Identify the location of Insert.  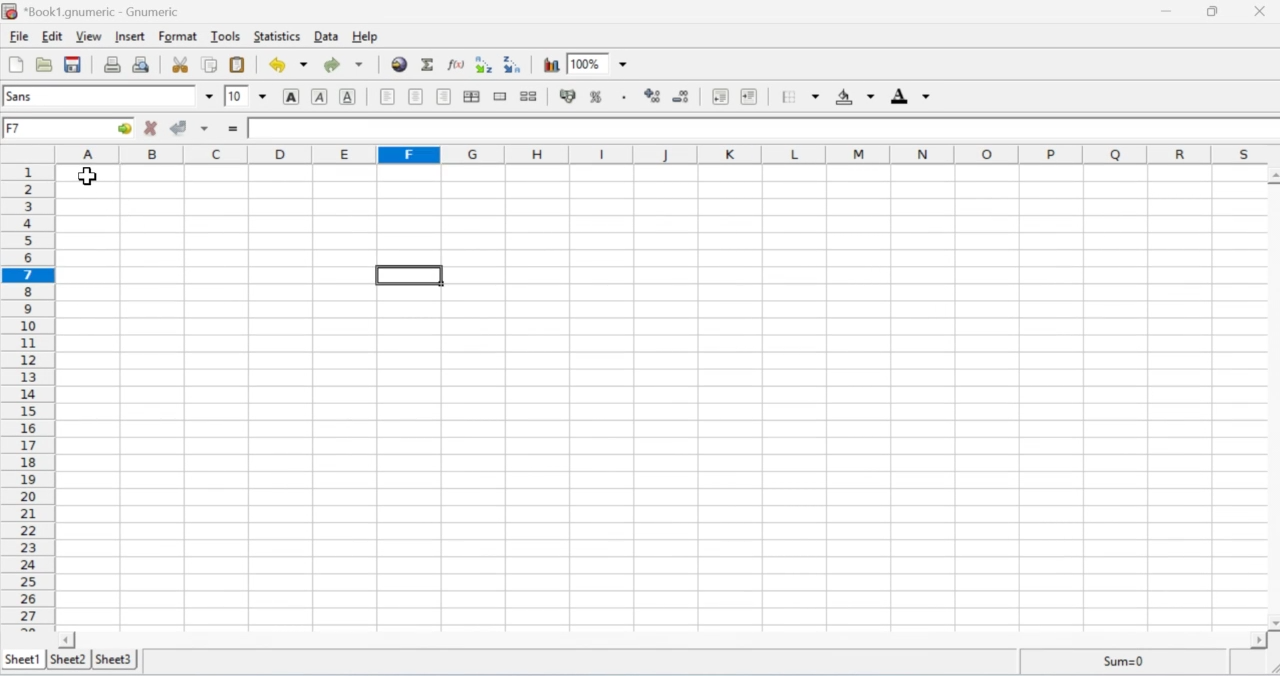
(131, 38).